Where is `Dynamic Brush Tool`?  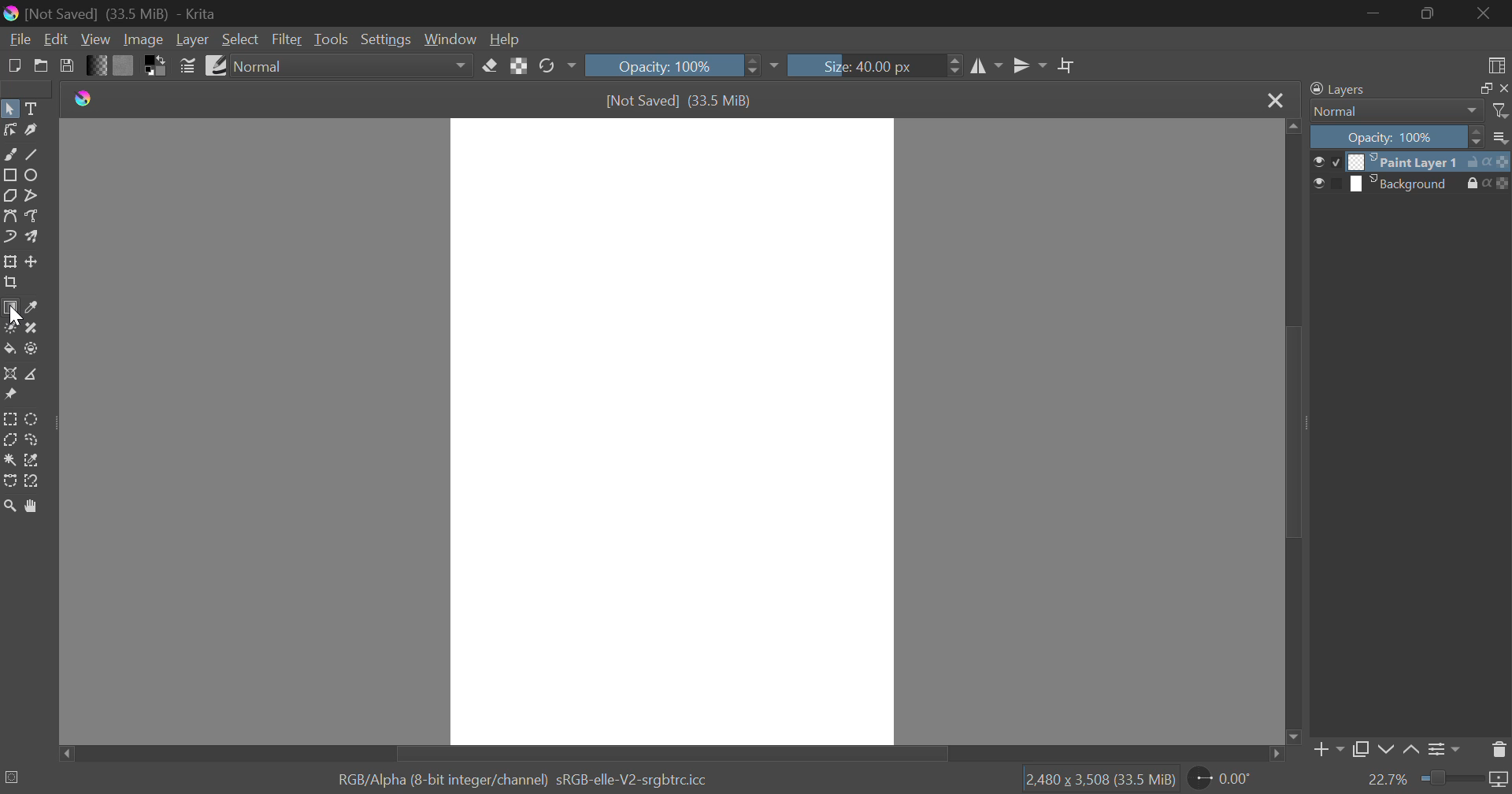 Dynamic Brush Tool is located at coordinates (9, 238).